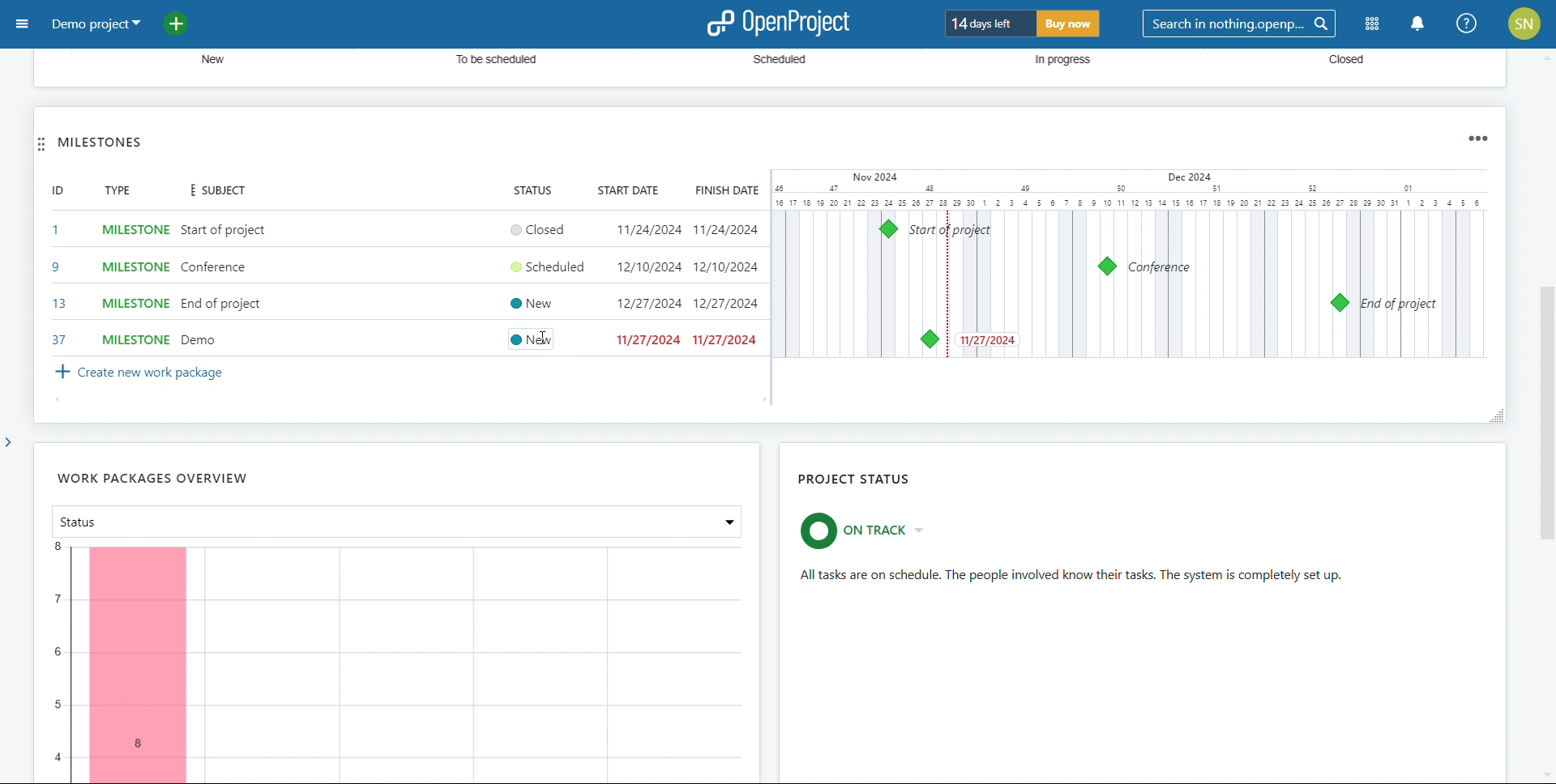  What do you see at coordinates (58, 284) in the screenshot?
I see `set id` at bounding box center [58, 284].